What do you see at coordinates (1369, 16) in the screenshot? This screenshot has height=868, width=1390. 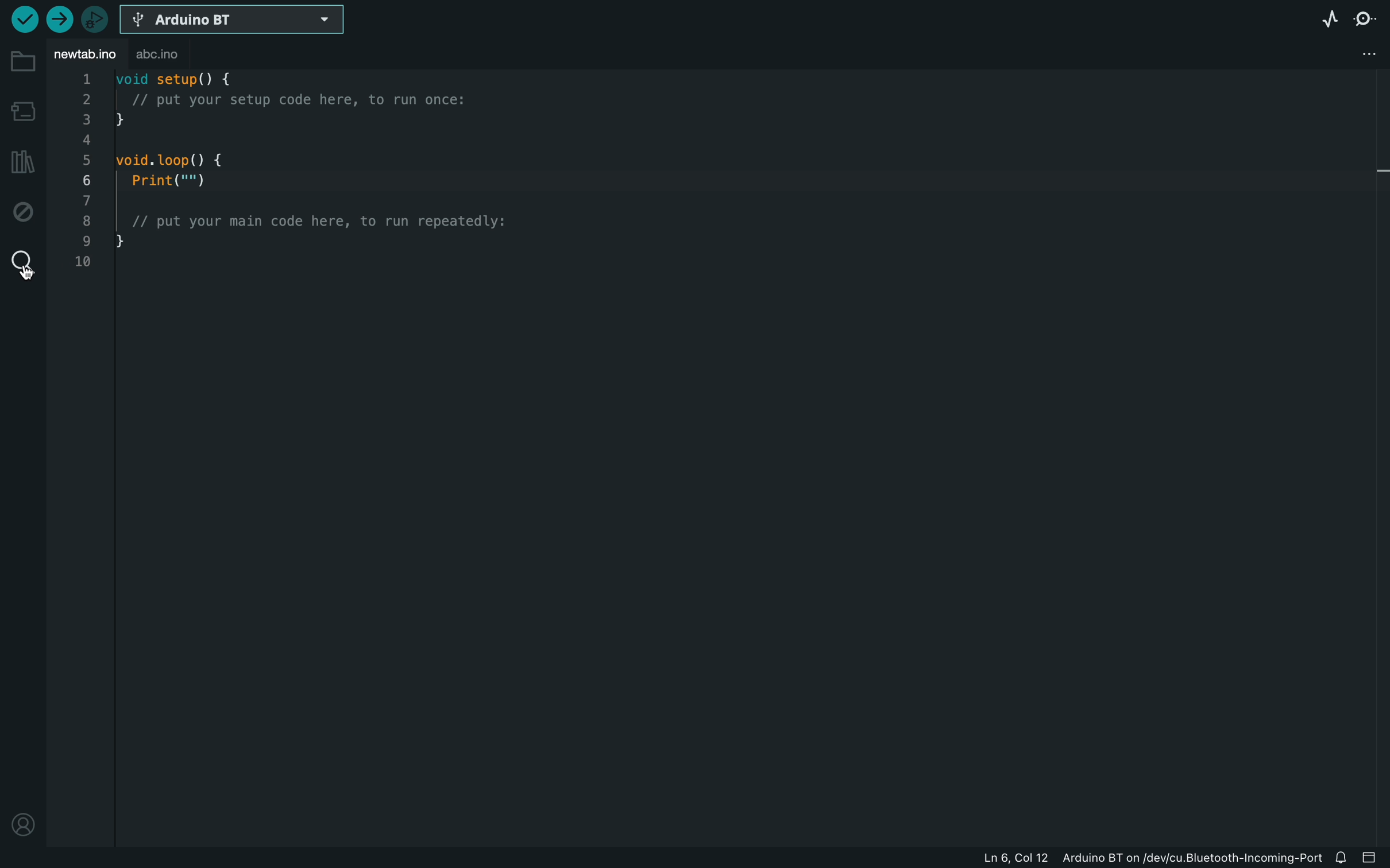 I see `serial monitor` at bounding box center [1369, 16].